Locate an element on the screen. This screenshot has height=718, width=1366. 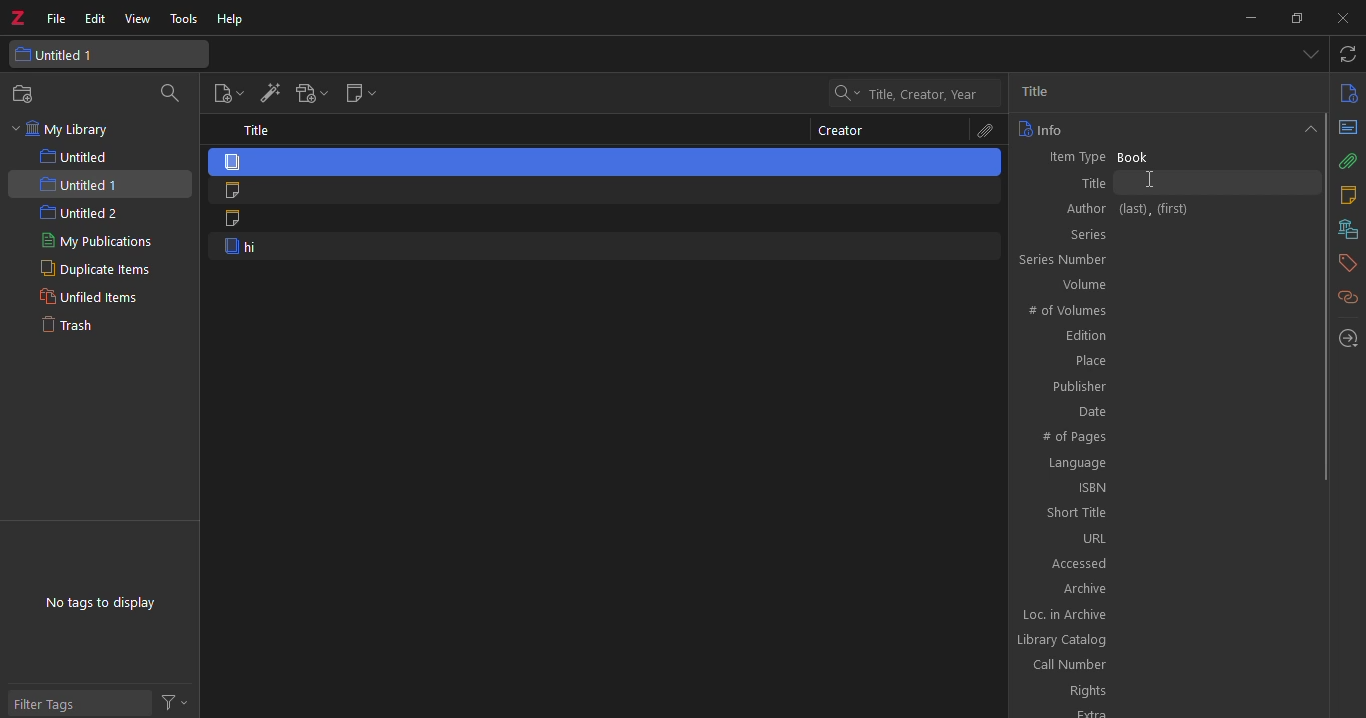
title is located at coordinates (1163, 182).